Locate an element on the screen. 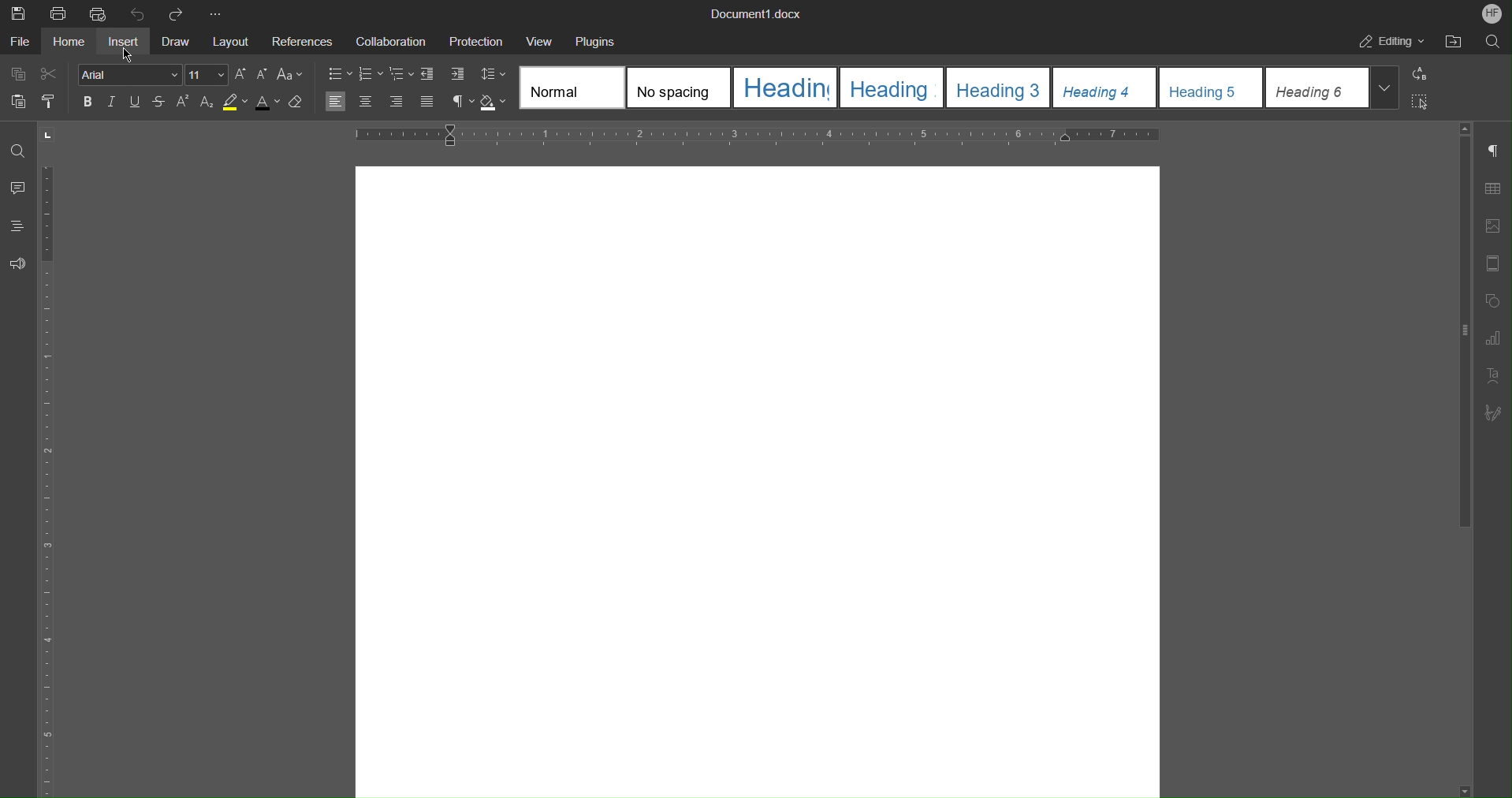 Image resolution: width=1512 pixels, height=798 pixels. Shadow is located at coordinates (496, 103).